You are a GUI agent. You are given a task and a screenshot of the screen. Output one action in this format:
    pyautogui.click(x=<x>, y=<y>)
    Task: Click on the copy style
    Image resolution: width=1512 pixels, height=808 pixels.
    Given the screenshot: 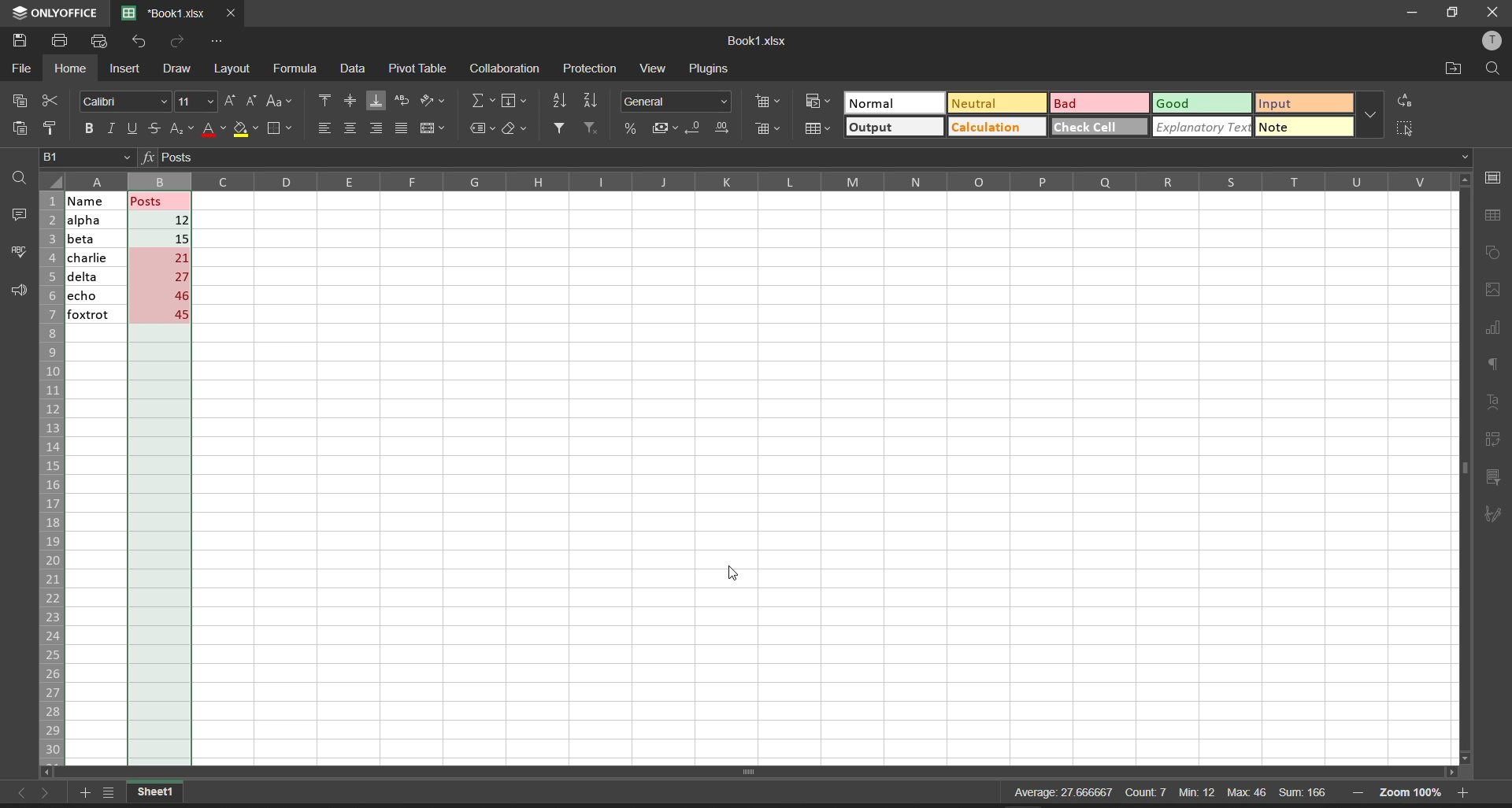 What is the action you would take?
    pyautogui.click(x=52, y=128)
    